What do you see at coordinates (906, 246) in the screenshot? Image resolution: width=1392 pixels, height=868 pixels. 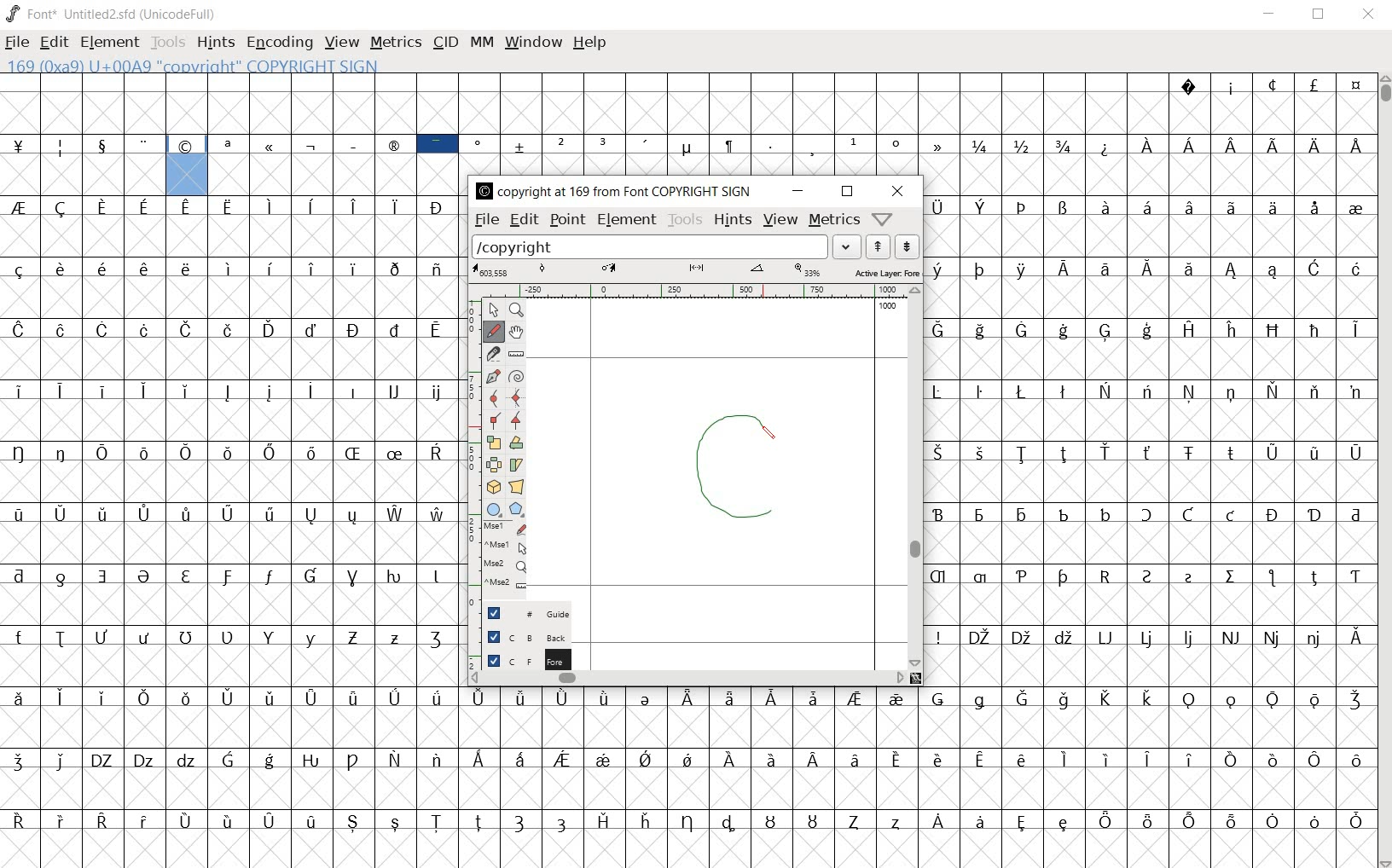 I see `show the previous word on the list` at bounding box center [906, 246].